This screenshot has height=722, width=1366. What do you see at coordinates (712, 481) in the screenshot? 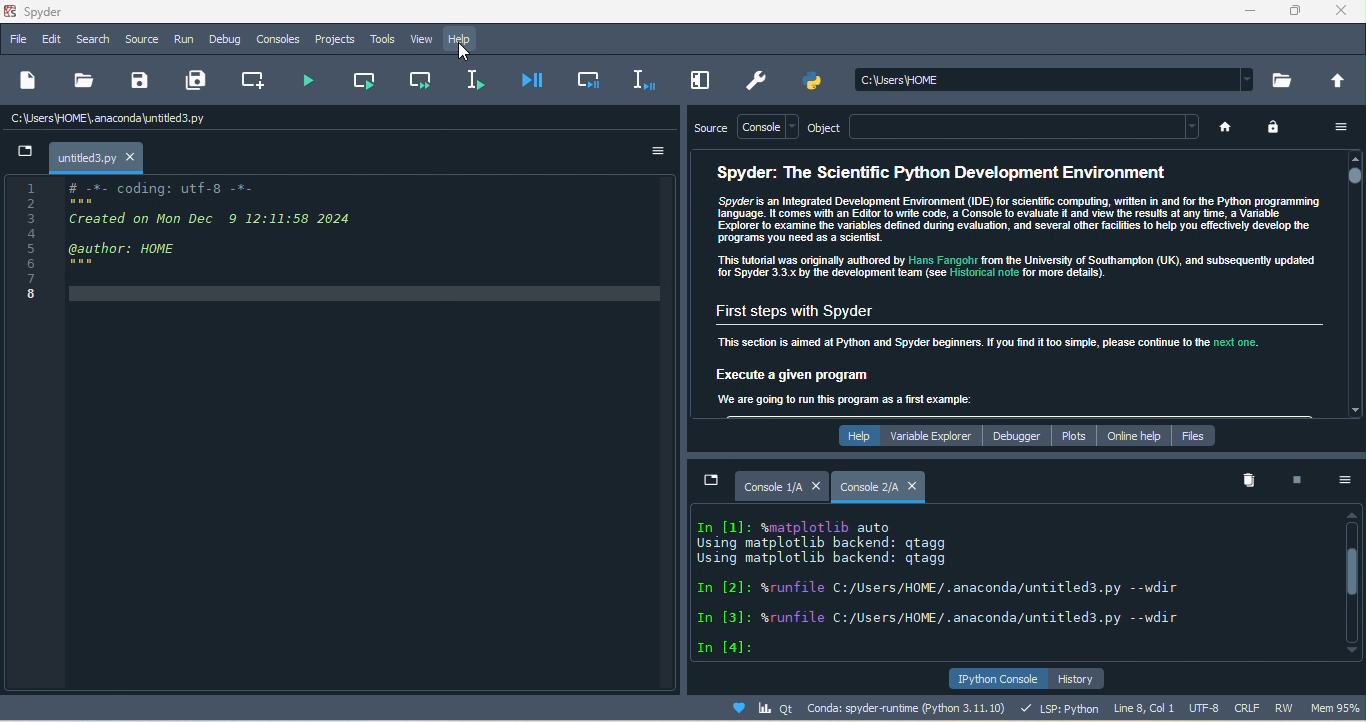
I see `minimize` at bounding box center [712, 481].